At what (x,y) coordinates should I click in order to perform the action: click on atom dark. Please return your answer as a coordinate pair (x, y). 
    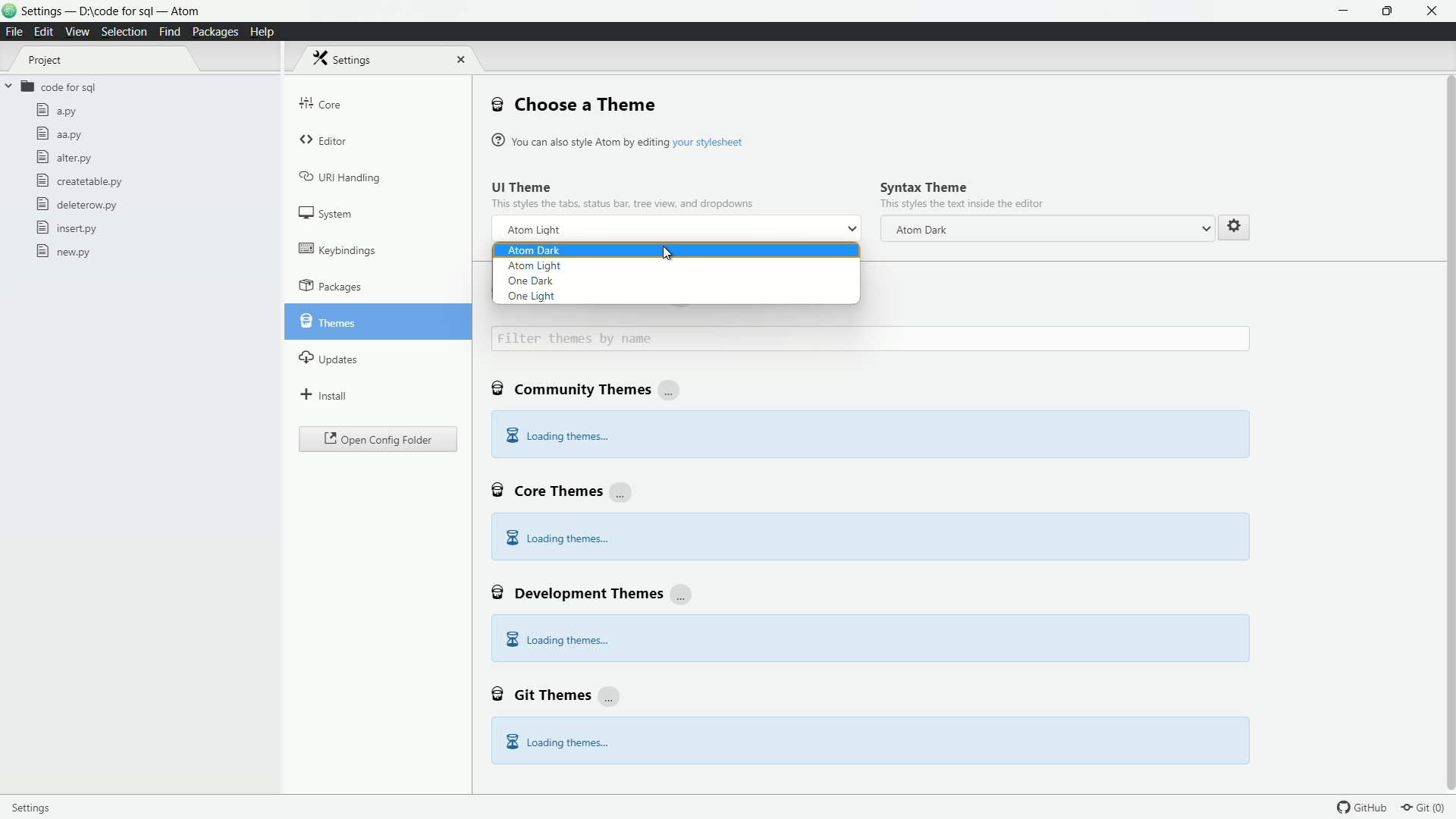
    Looking at the image, I should click on (534, 249).